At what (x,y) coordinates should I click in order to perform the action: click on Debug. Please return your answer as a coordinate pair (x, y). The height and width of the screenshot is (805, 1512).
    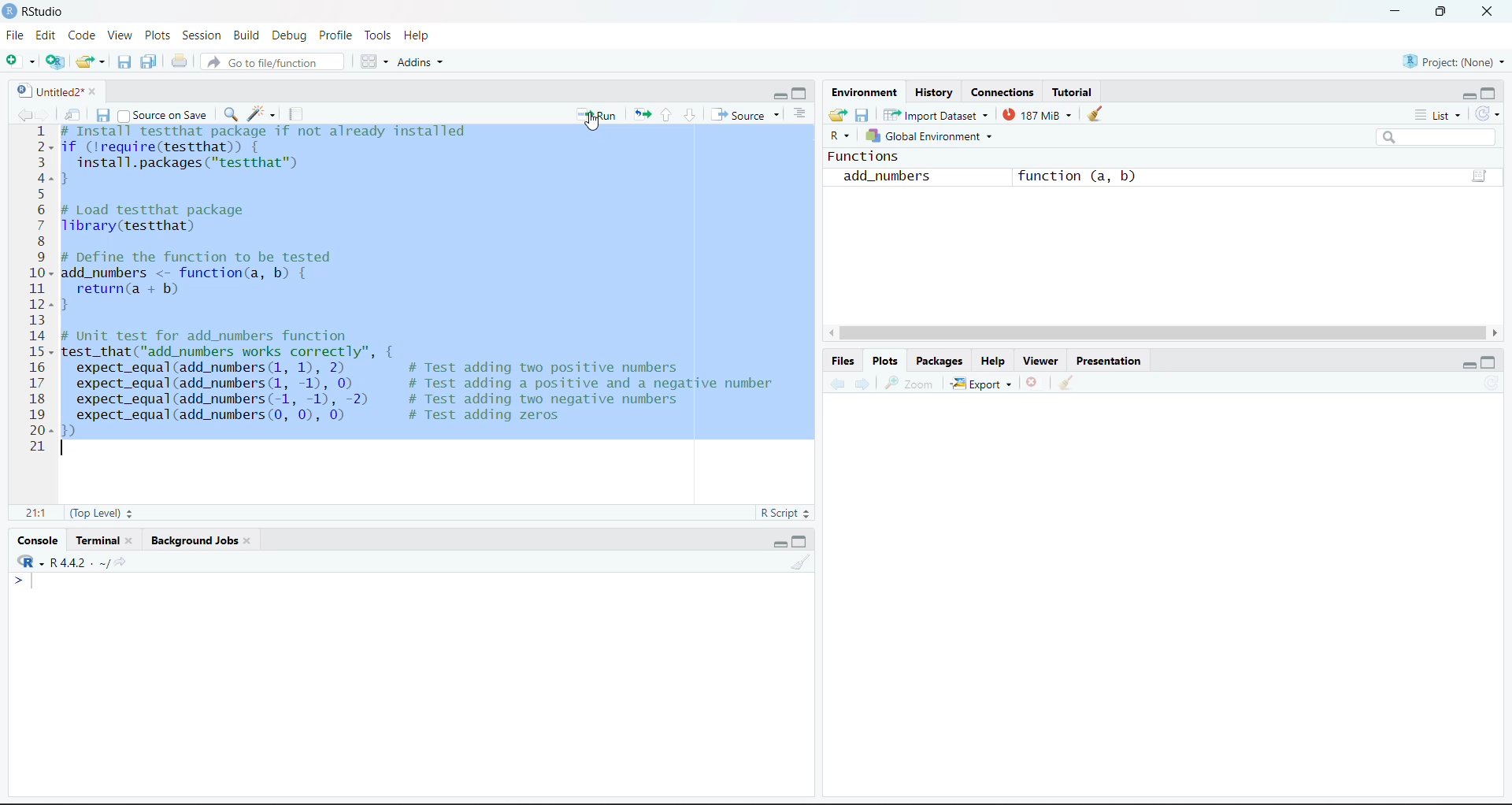
    Looking at the image, I should click on (289, 35).